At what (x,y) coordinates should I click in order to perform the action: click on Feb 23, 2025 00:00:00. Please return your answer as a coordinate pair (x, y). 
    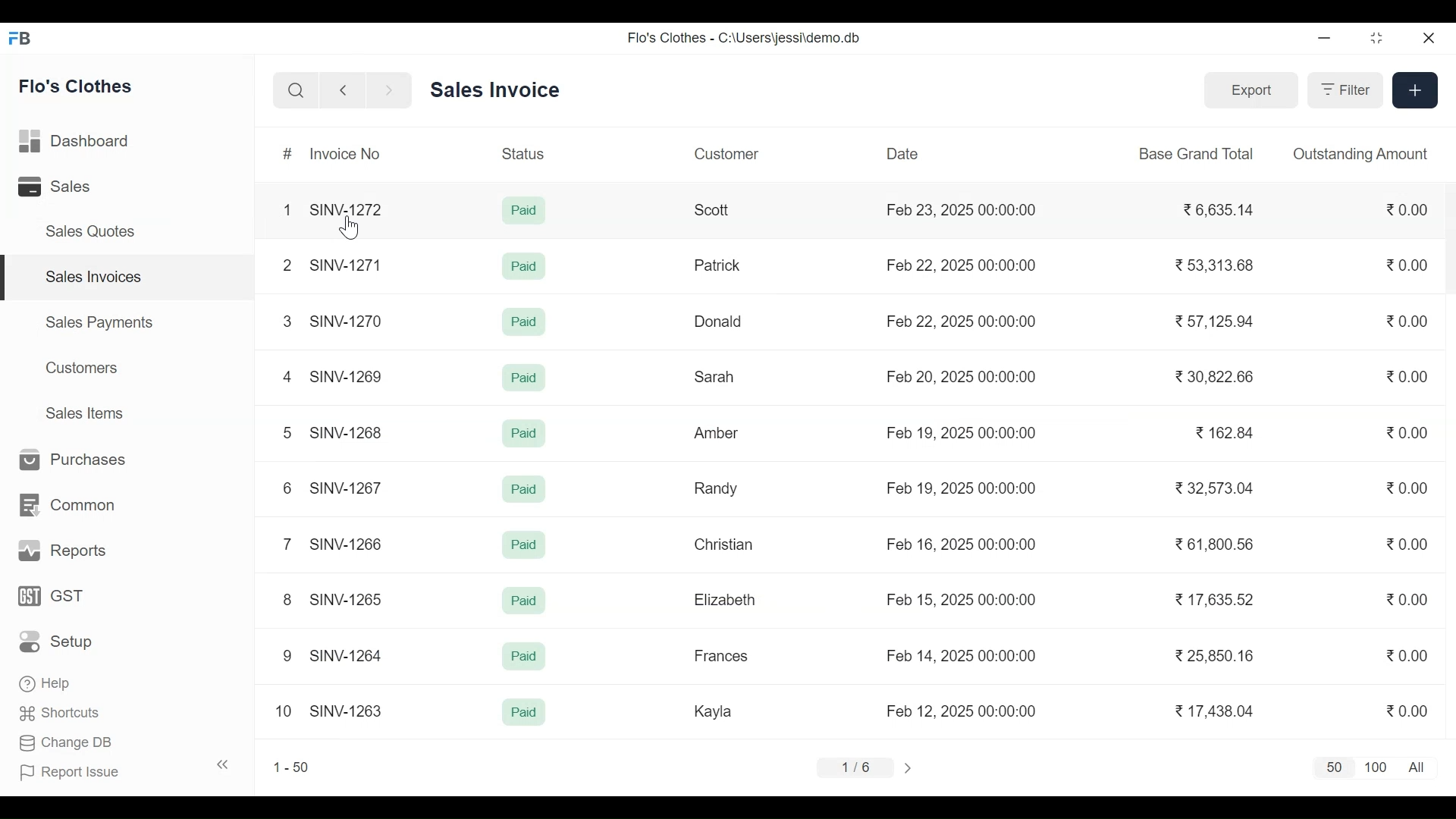
    Looking at the image, I should click on (960, 209).